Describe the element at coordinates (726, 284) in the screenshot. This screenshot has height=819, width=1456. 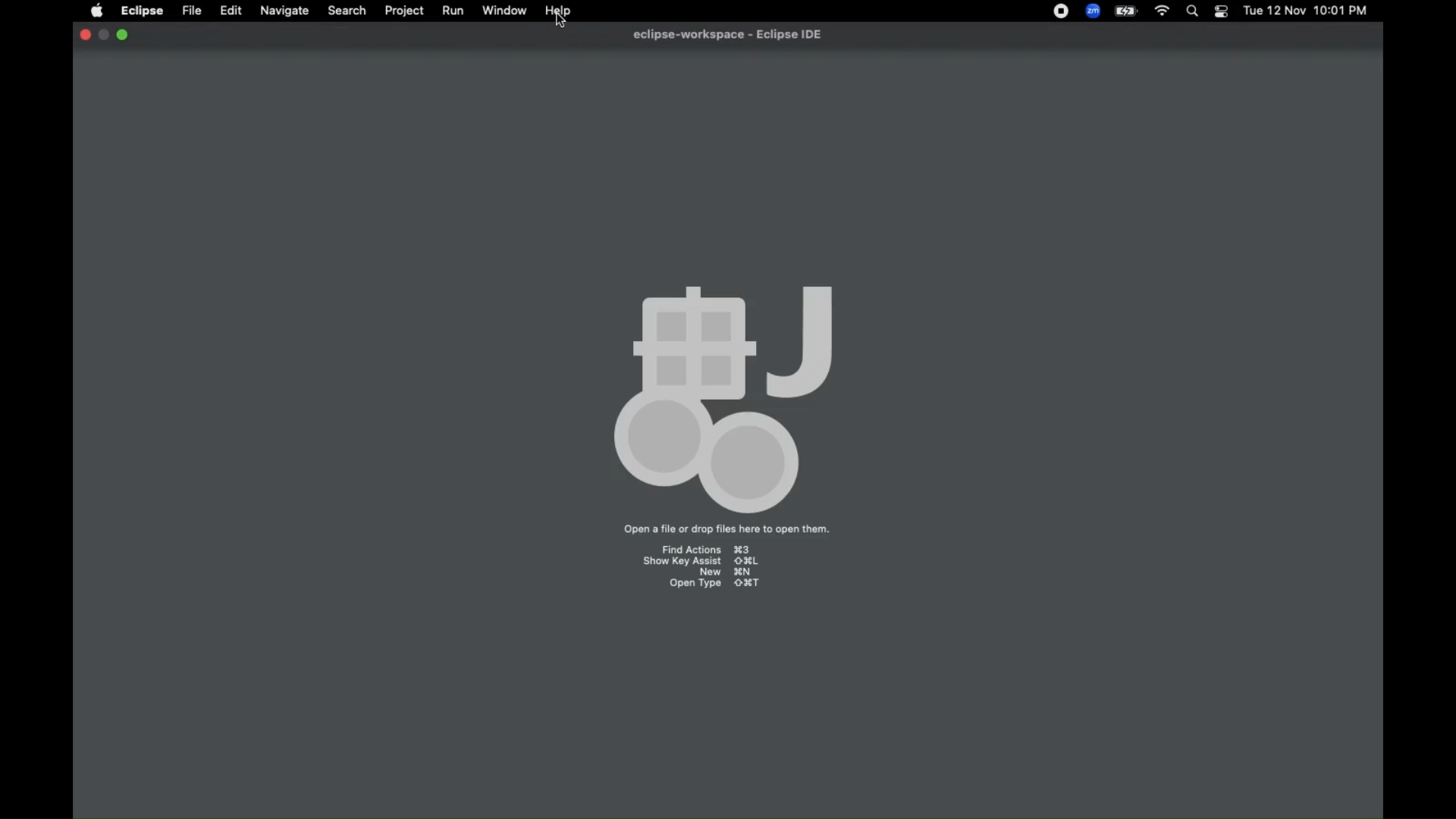
I see `Edit space` at that location.